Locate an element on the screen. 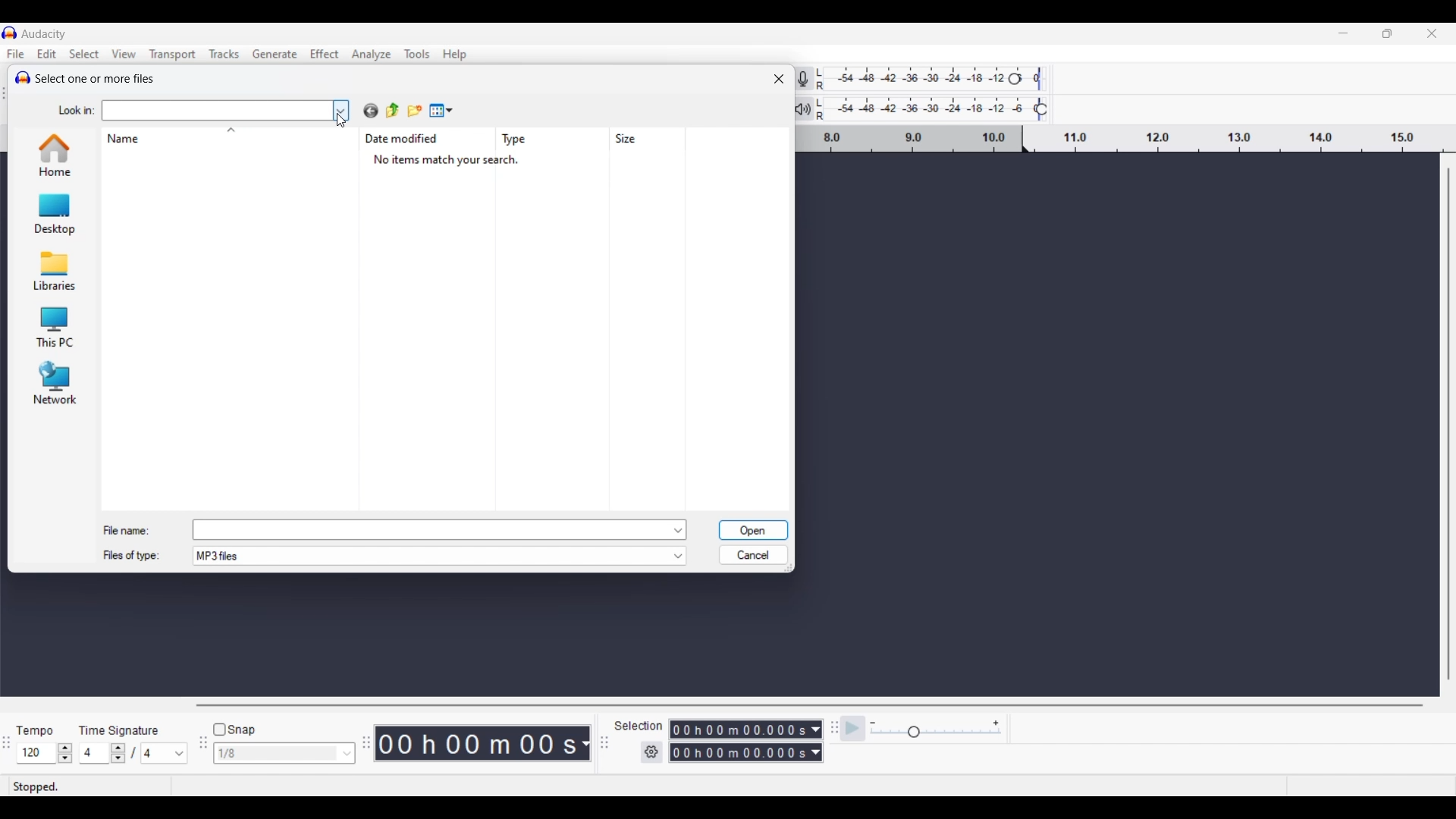  snapping toolbar is located at coordinates (200, 752).